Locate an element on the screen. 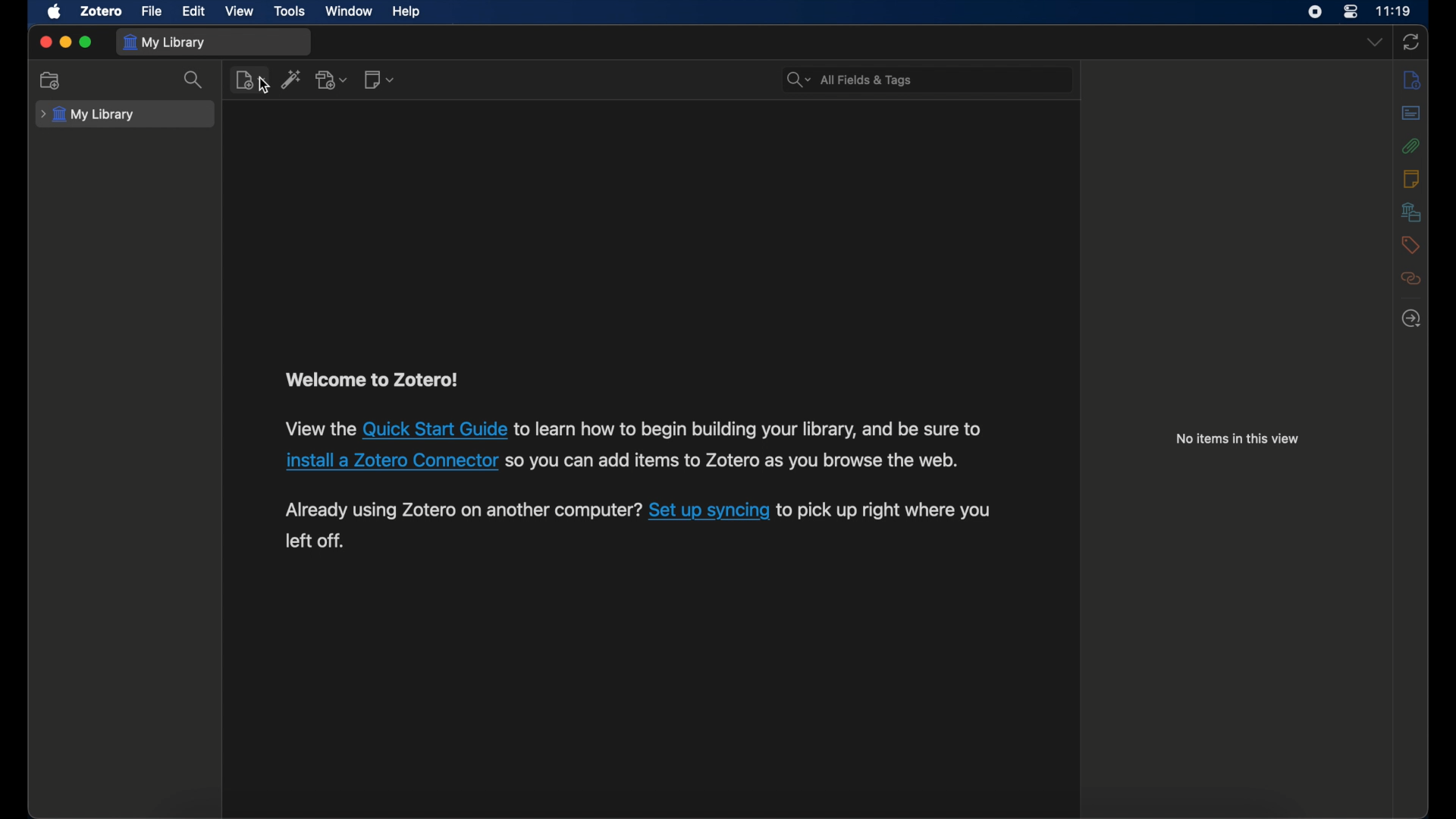  new note is located at coordinates (379, 79).